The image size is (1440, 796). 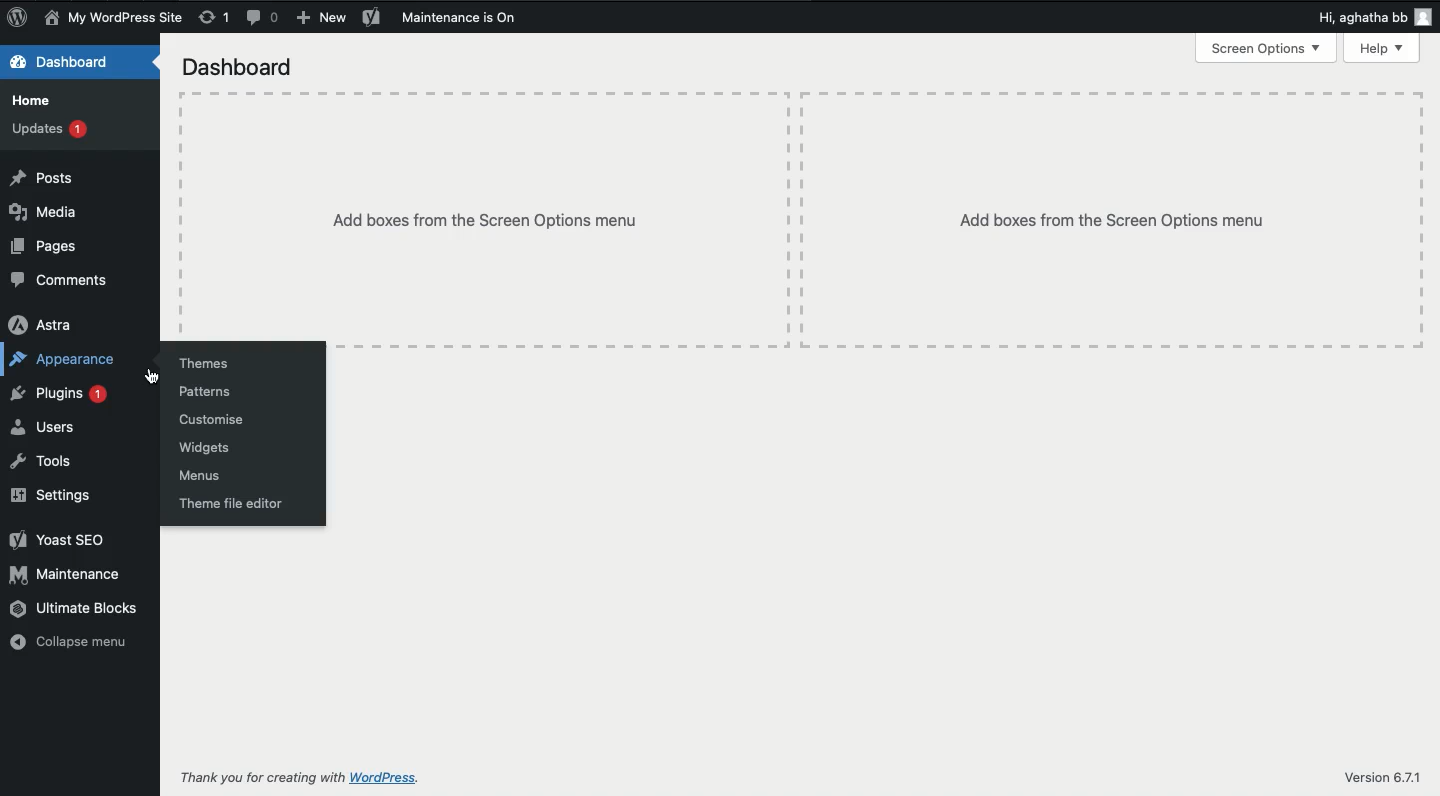 I want to click on Maintenance, so click(x=68, y=574).